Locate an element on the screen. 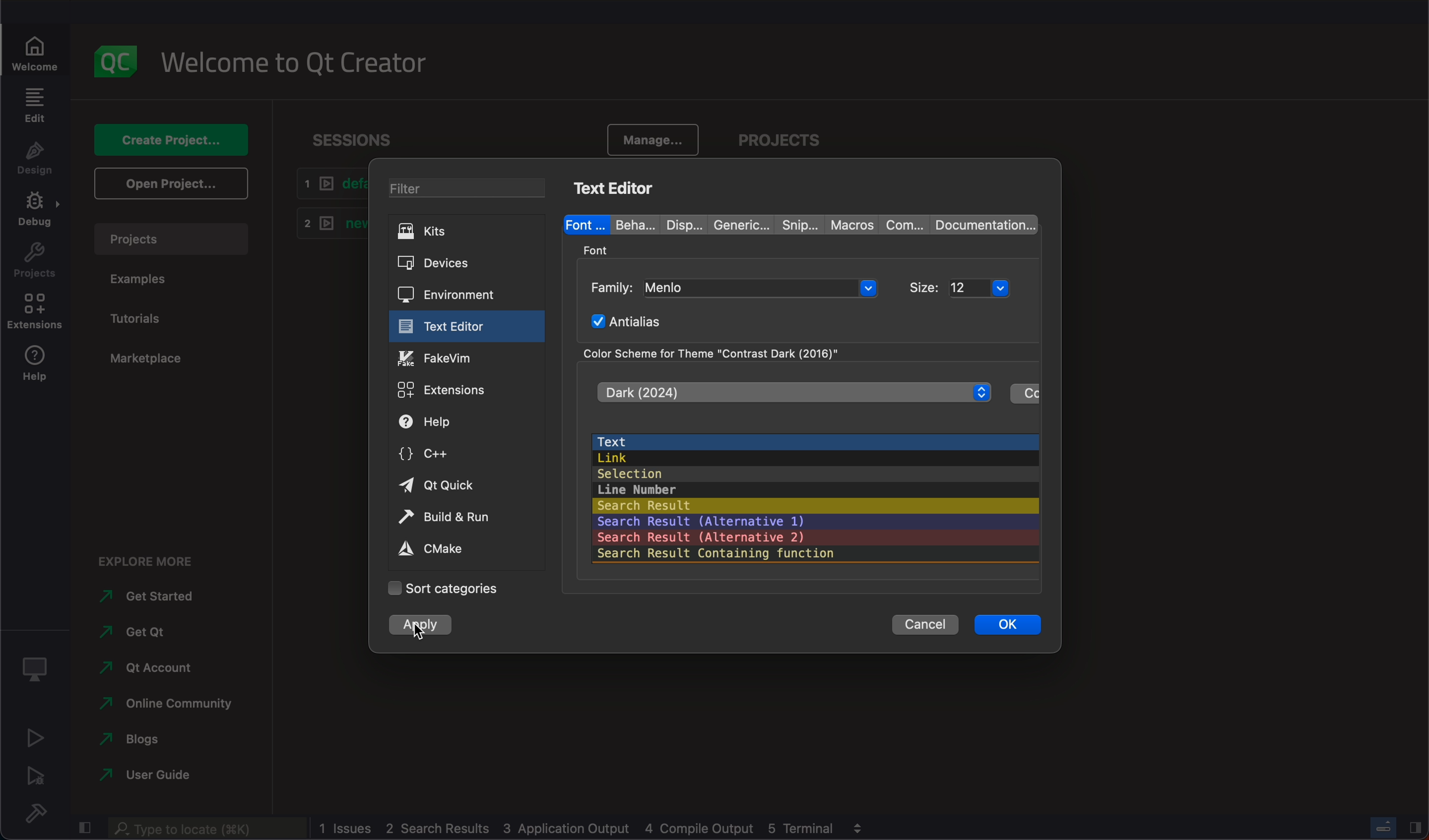  disp is located at coordinates (675, 223).